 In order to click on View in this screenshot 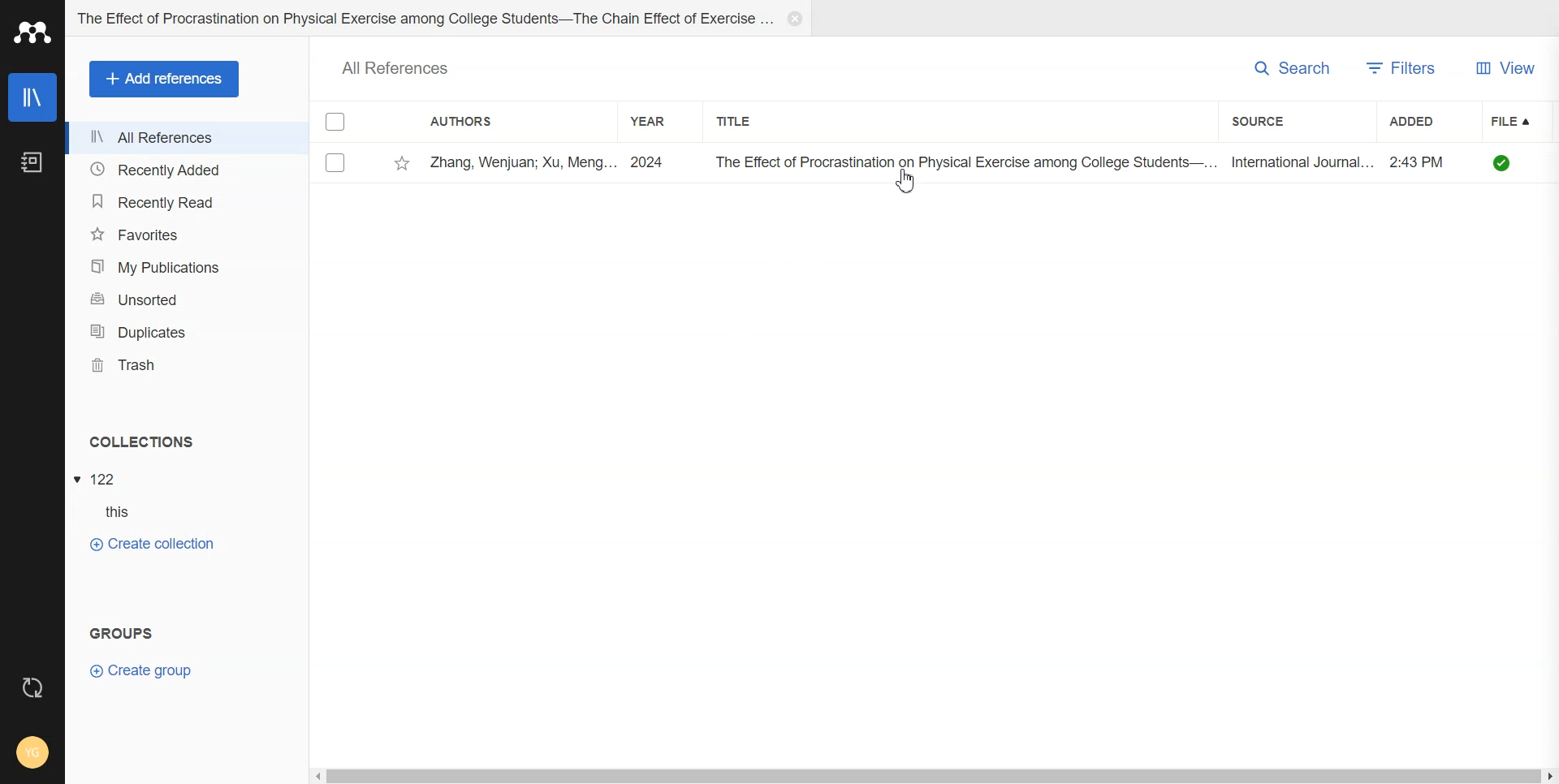, I will do `click(1508, 68)`.